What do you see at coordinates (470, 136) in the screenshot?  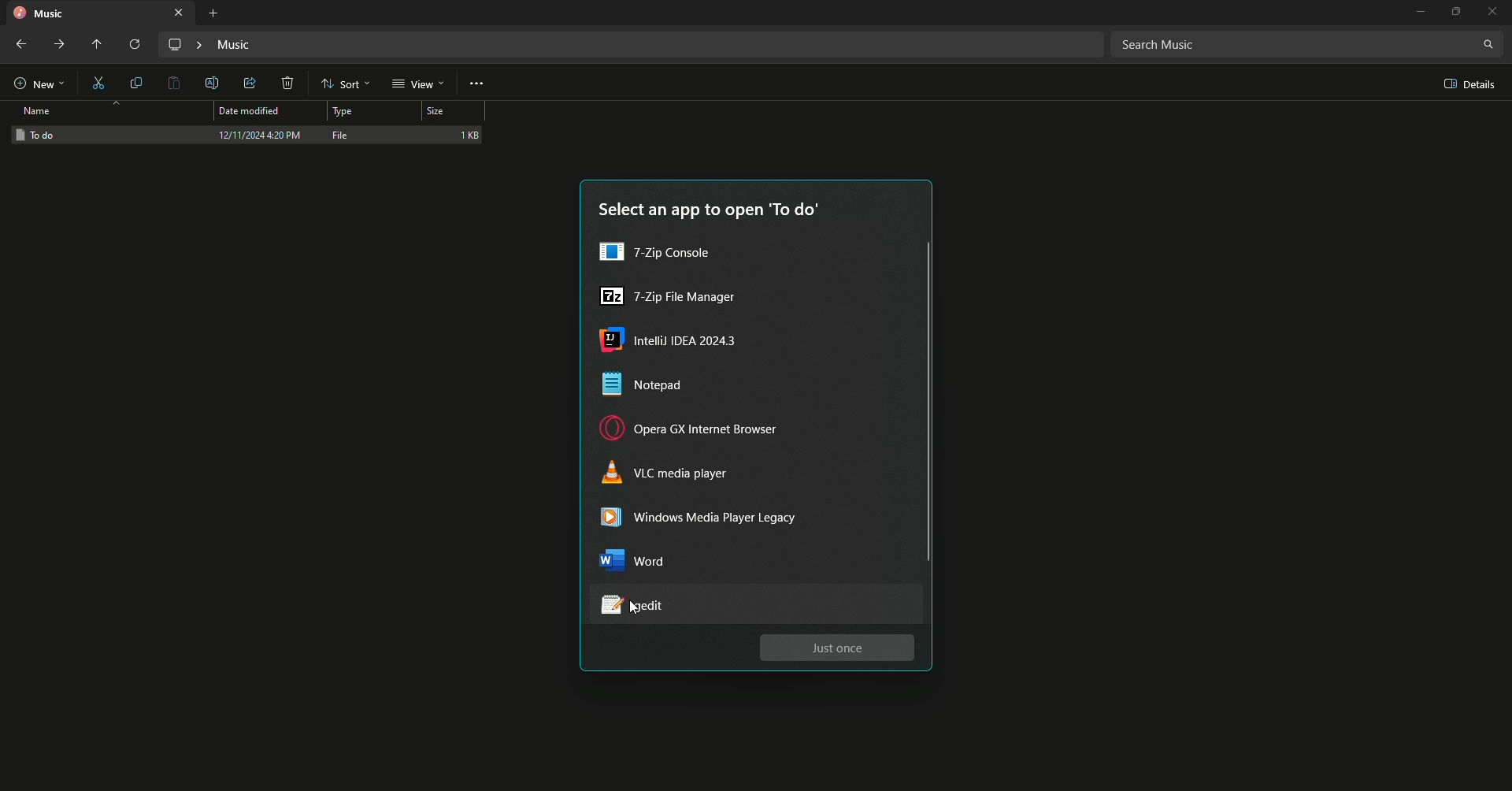 I see `1 KB` at bounding box center [470, 136].